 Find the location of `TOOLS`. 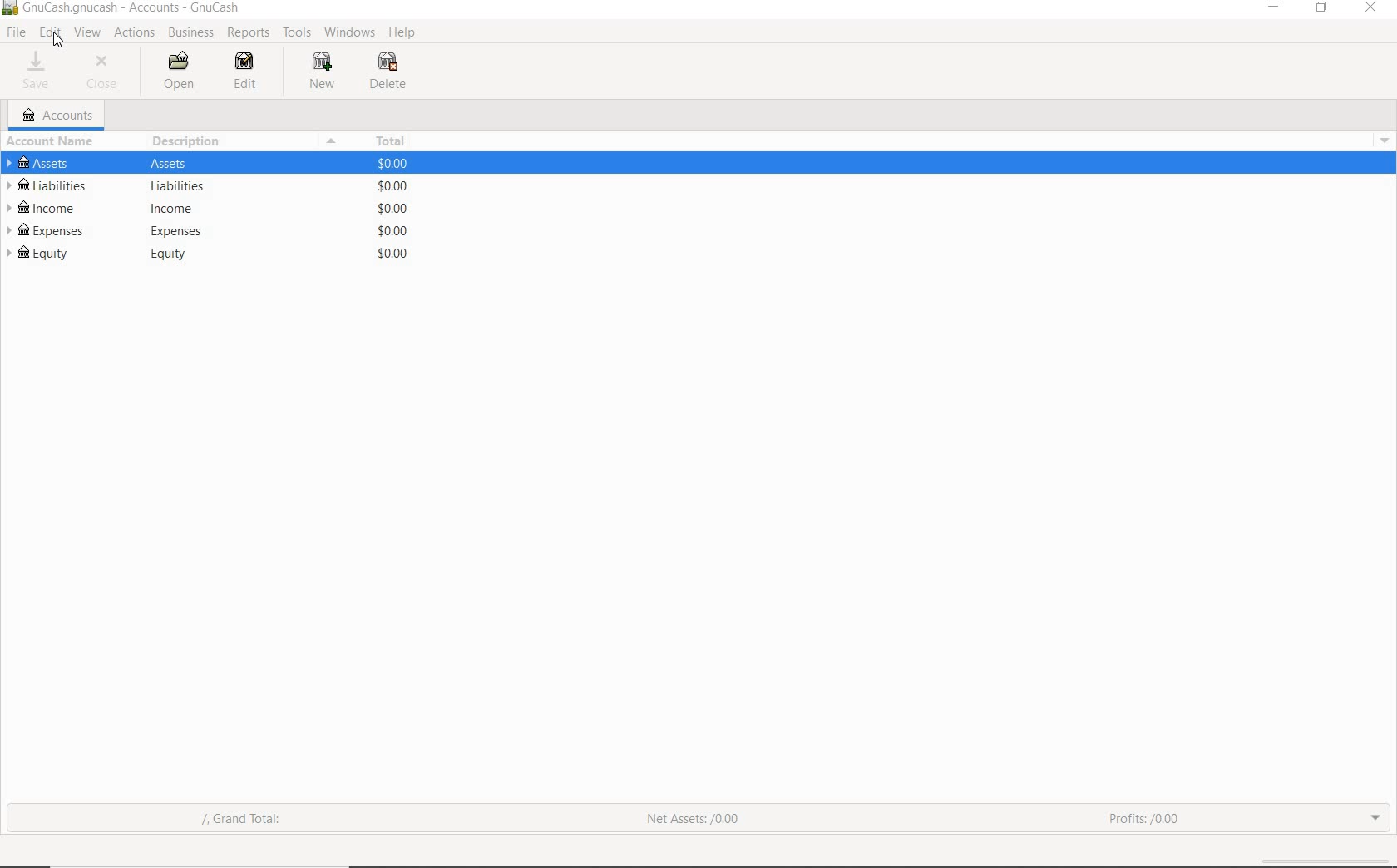

TOOLS is located at coordinates (295, 33).